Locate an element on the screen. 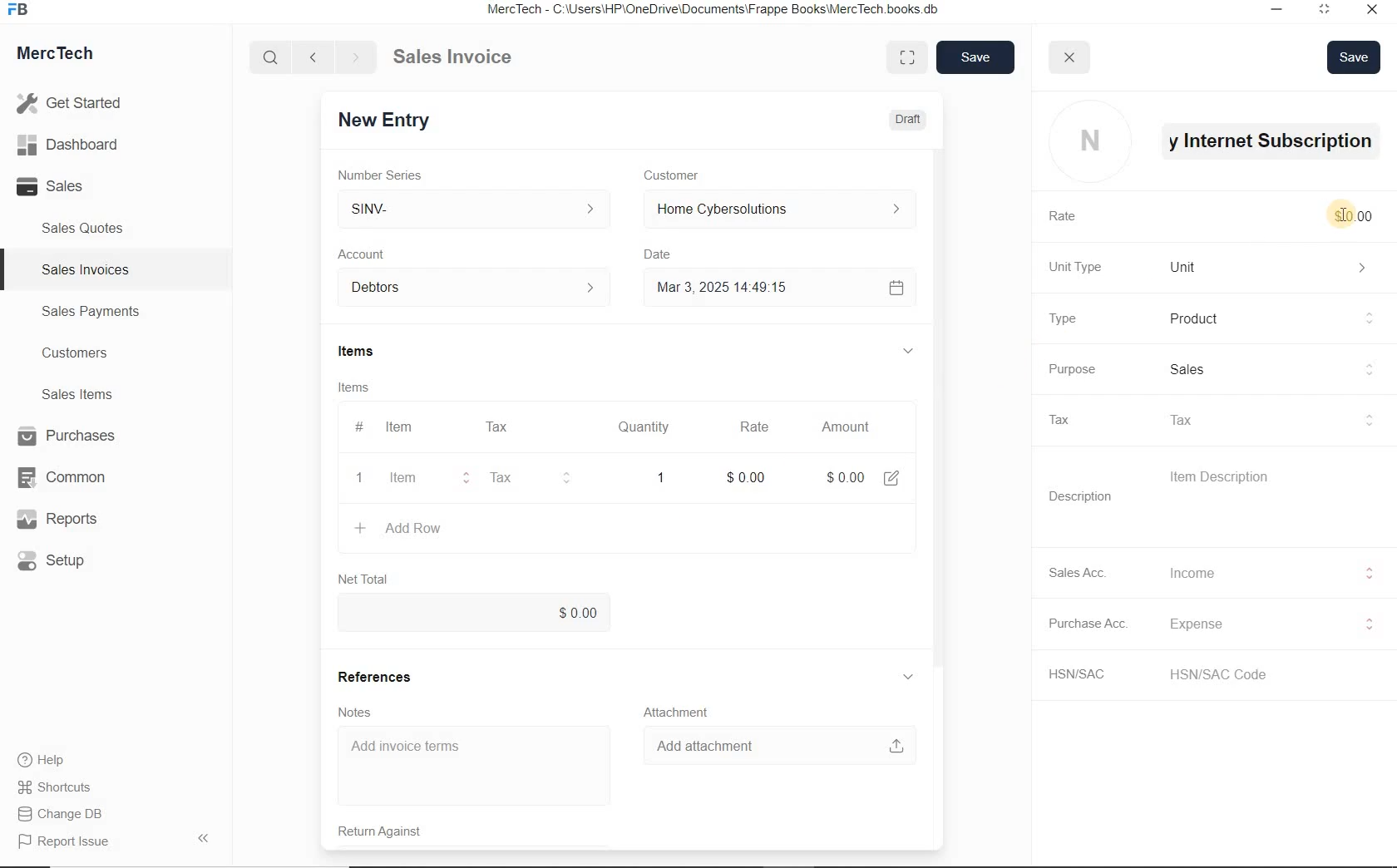  Save is located at coordinates (1355, 57).